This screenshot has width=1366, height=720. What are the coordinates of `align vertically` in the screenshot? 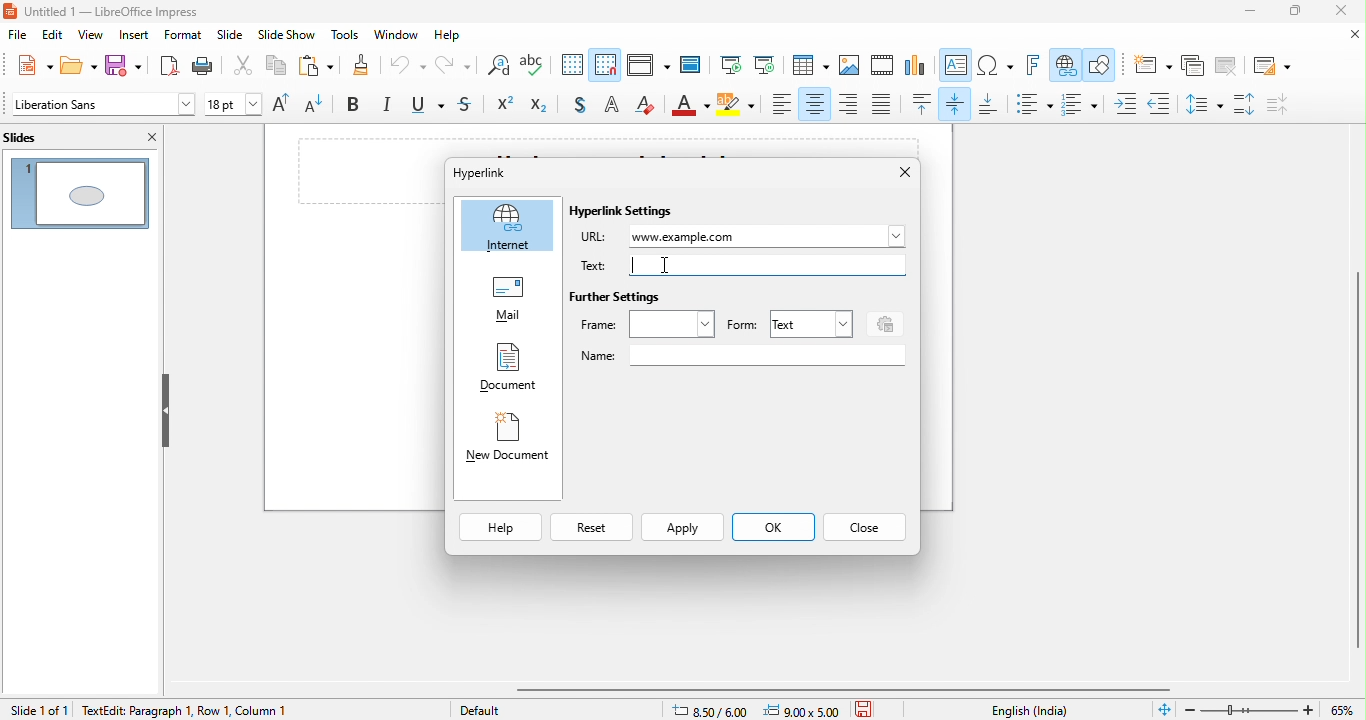 It's located at (957, 103).